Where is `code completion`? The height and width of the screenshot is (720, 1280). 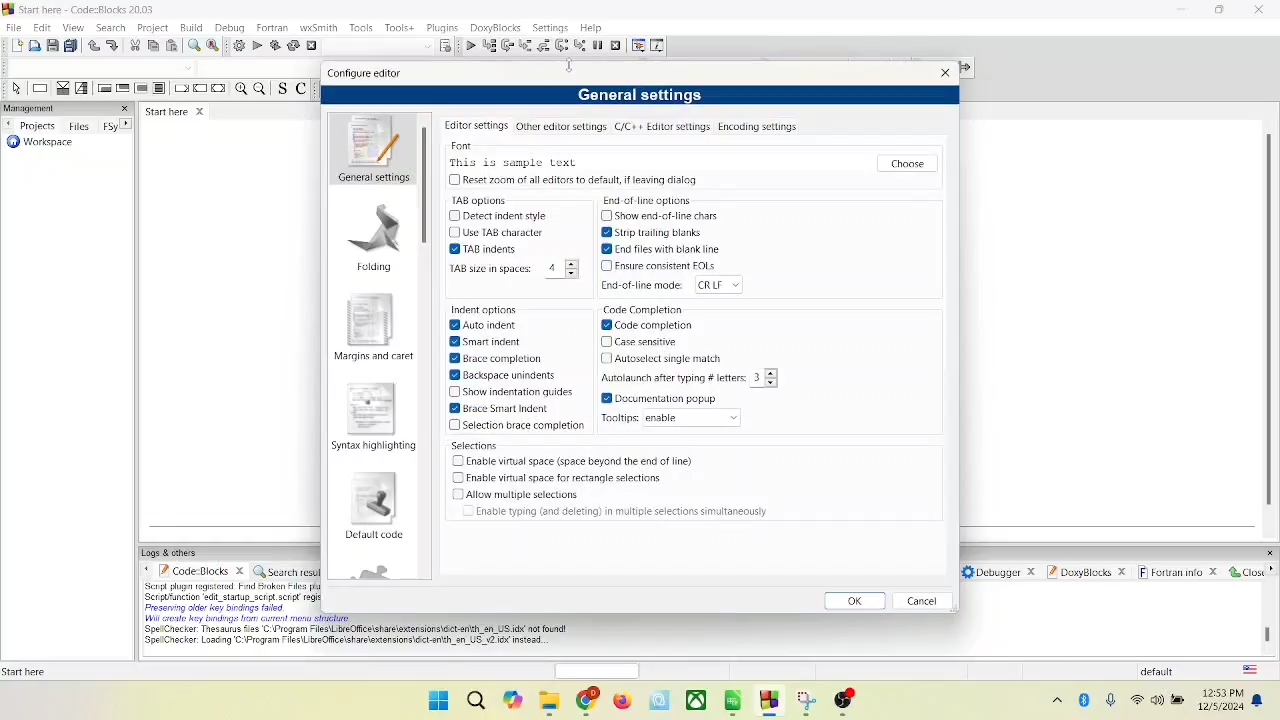 code completion is located at coordinates (645, 310).